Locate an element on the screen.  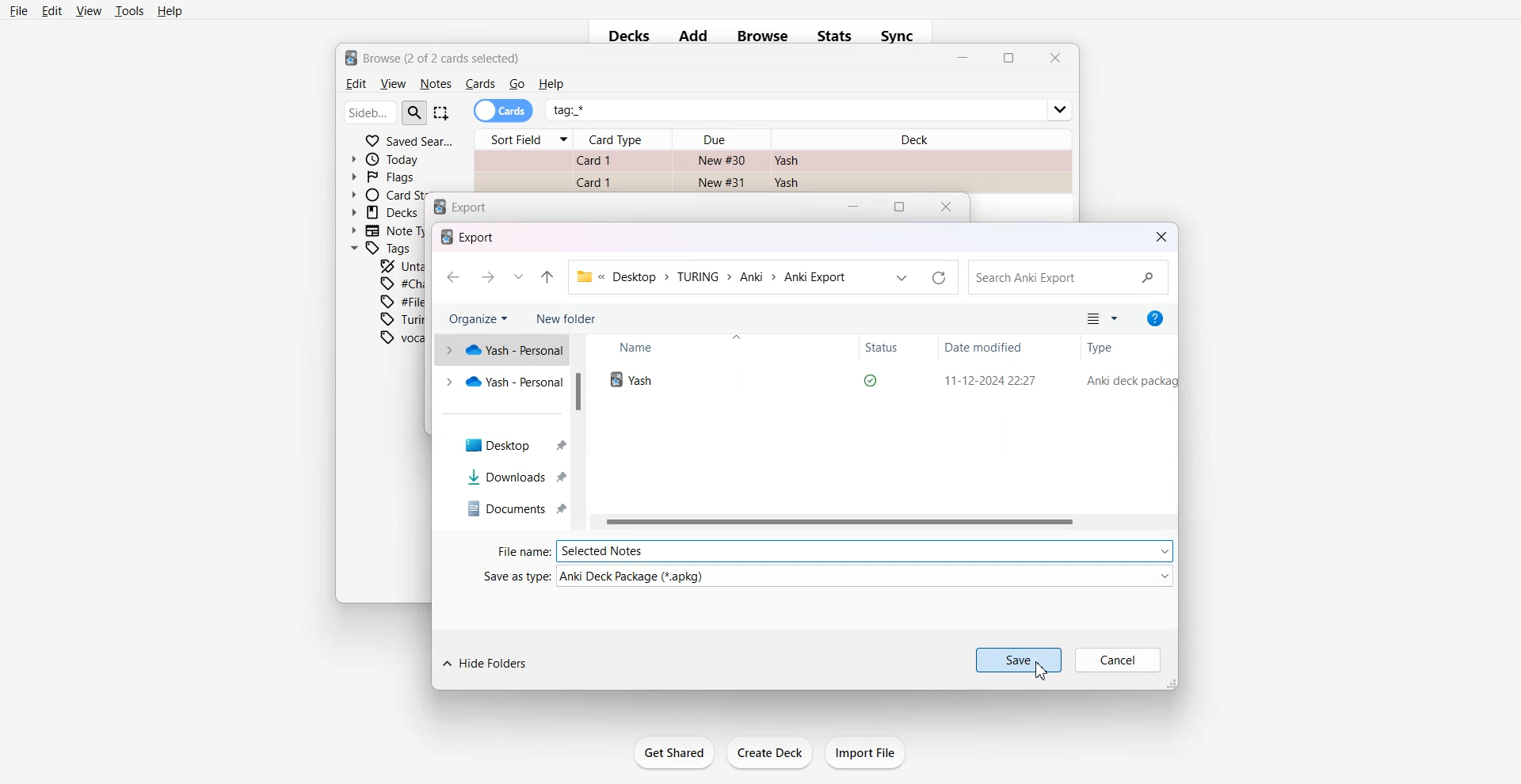
Search Bar is located at coordinates (386, 112).